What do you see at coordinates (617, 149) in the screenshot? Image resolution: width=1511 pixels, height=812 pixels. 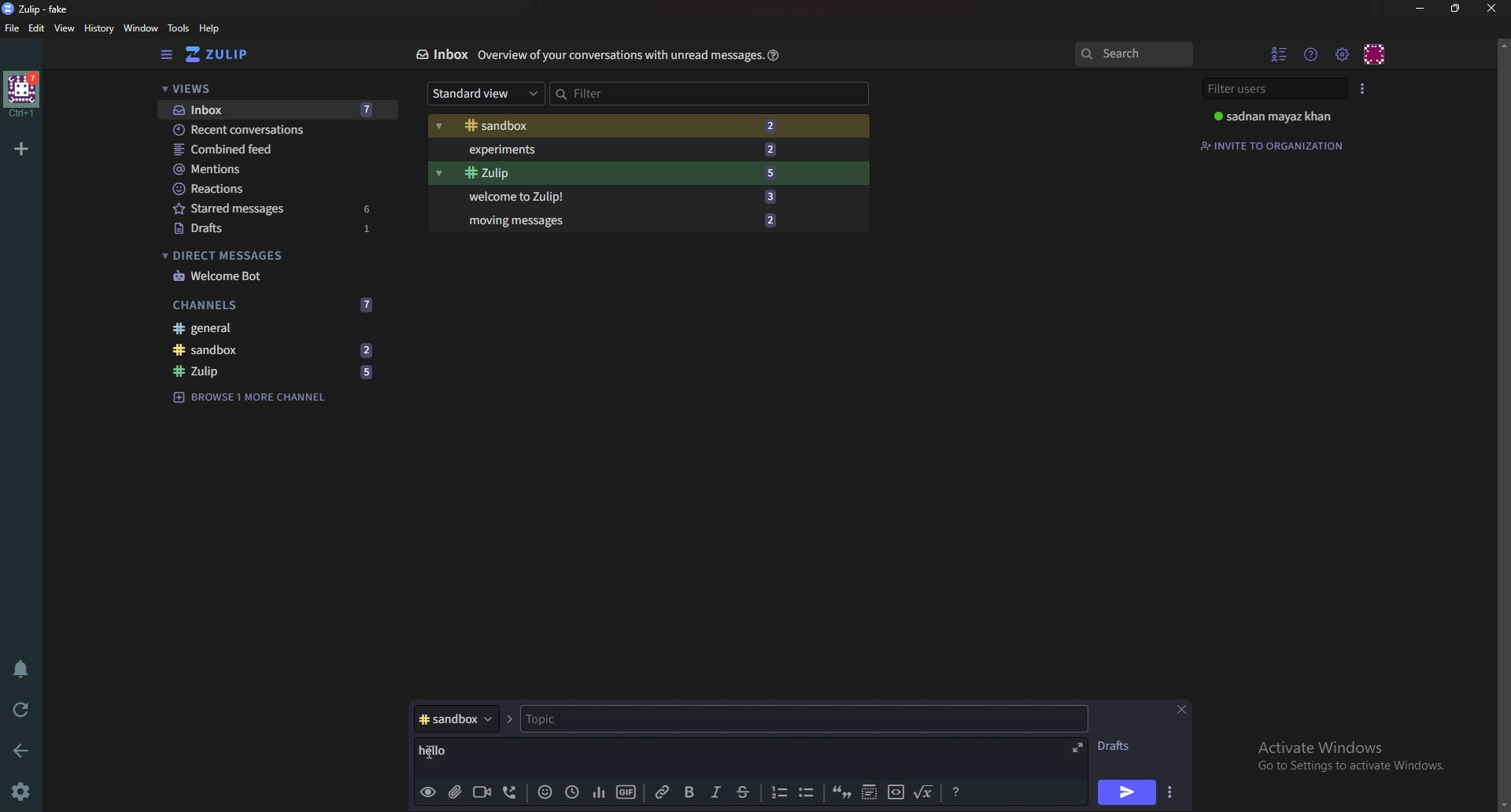 I see `Experiments` at bounding box center [617, 149].